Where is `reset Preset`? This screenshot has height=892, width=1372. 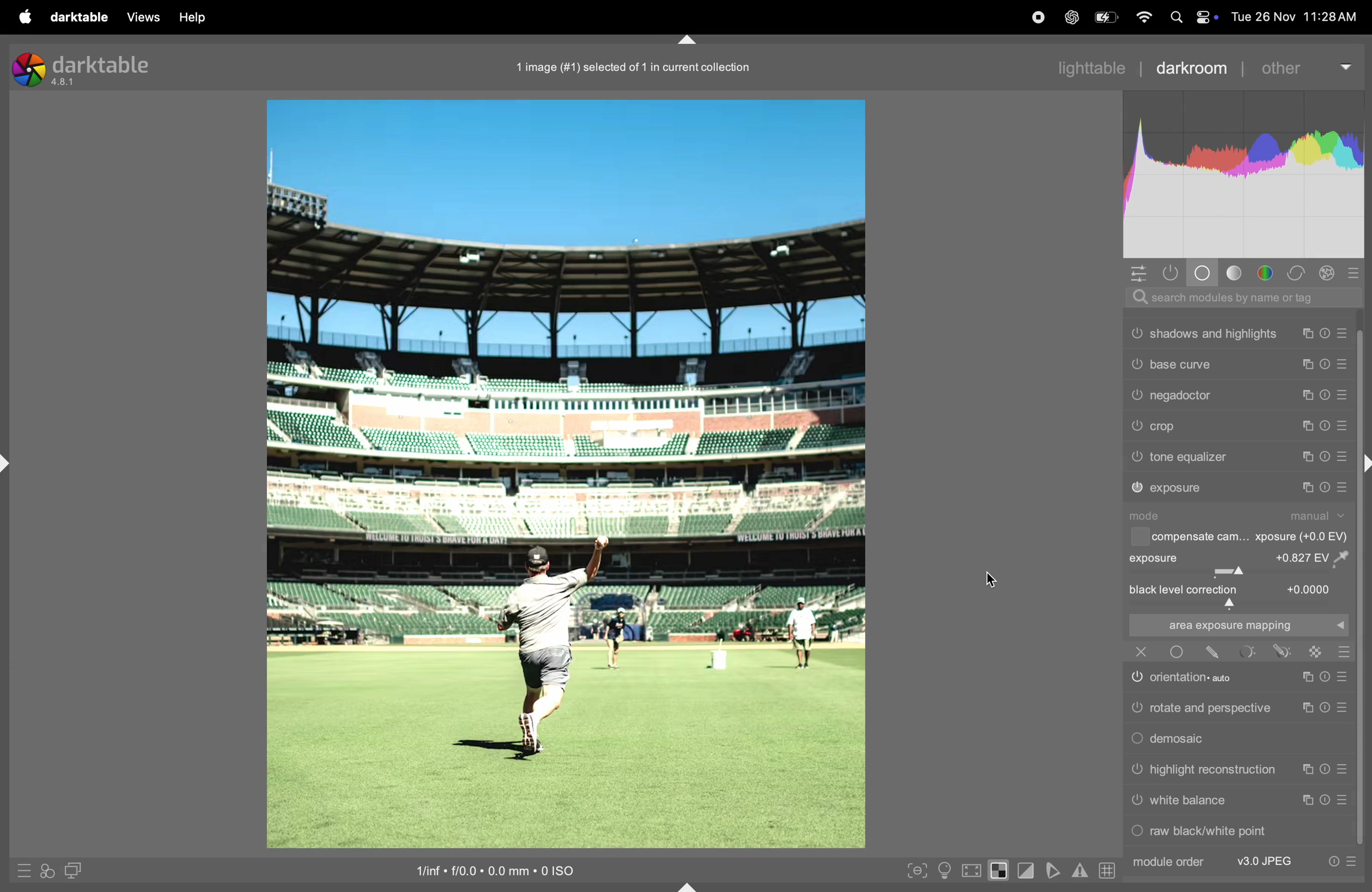
reset Preset is located at coordinates (1324, 677).